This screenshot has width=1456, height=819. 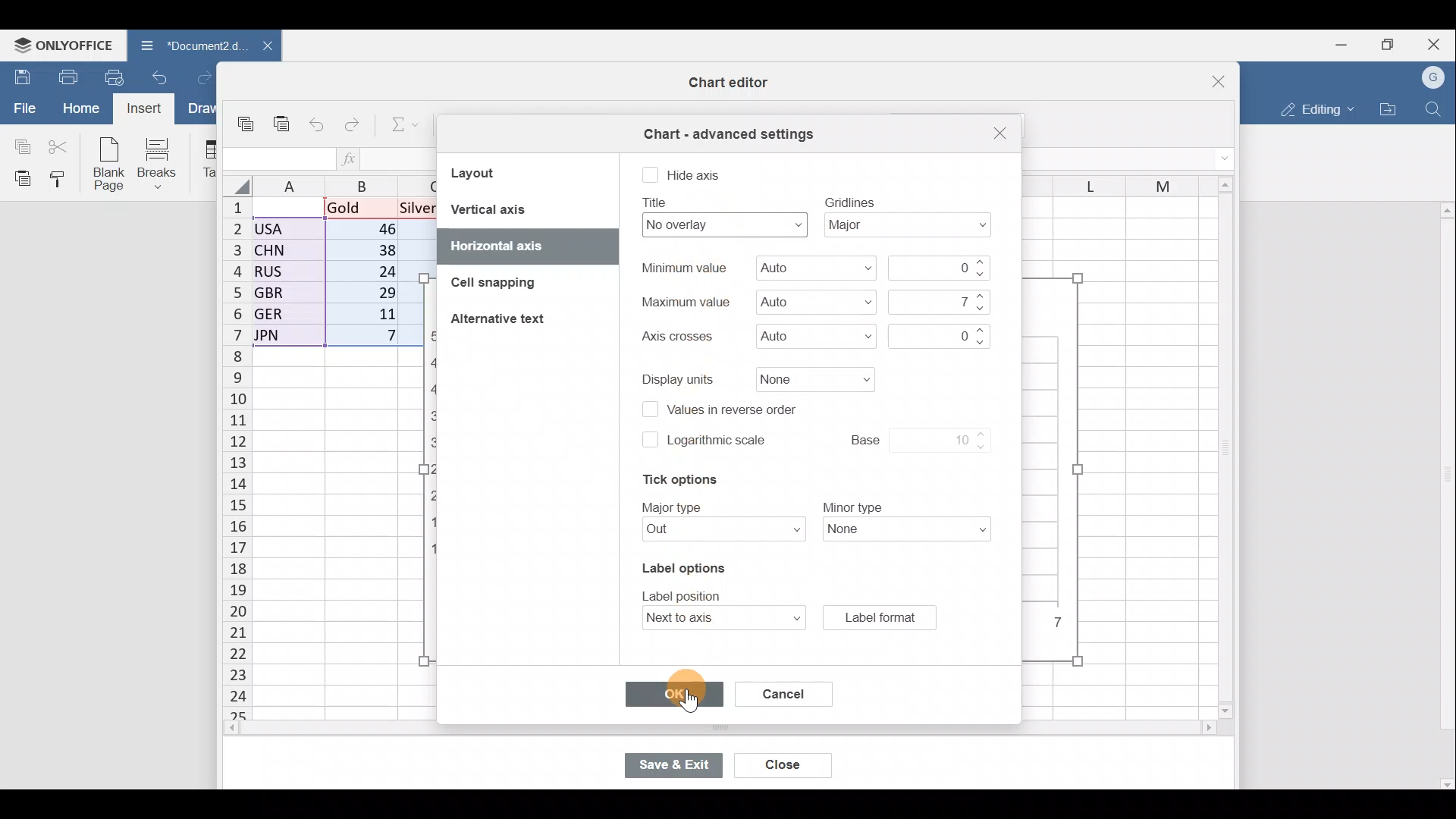 I want to click on Copy, so click(x=247, y=118).